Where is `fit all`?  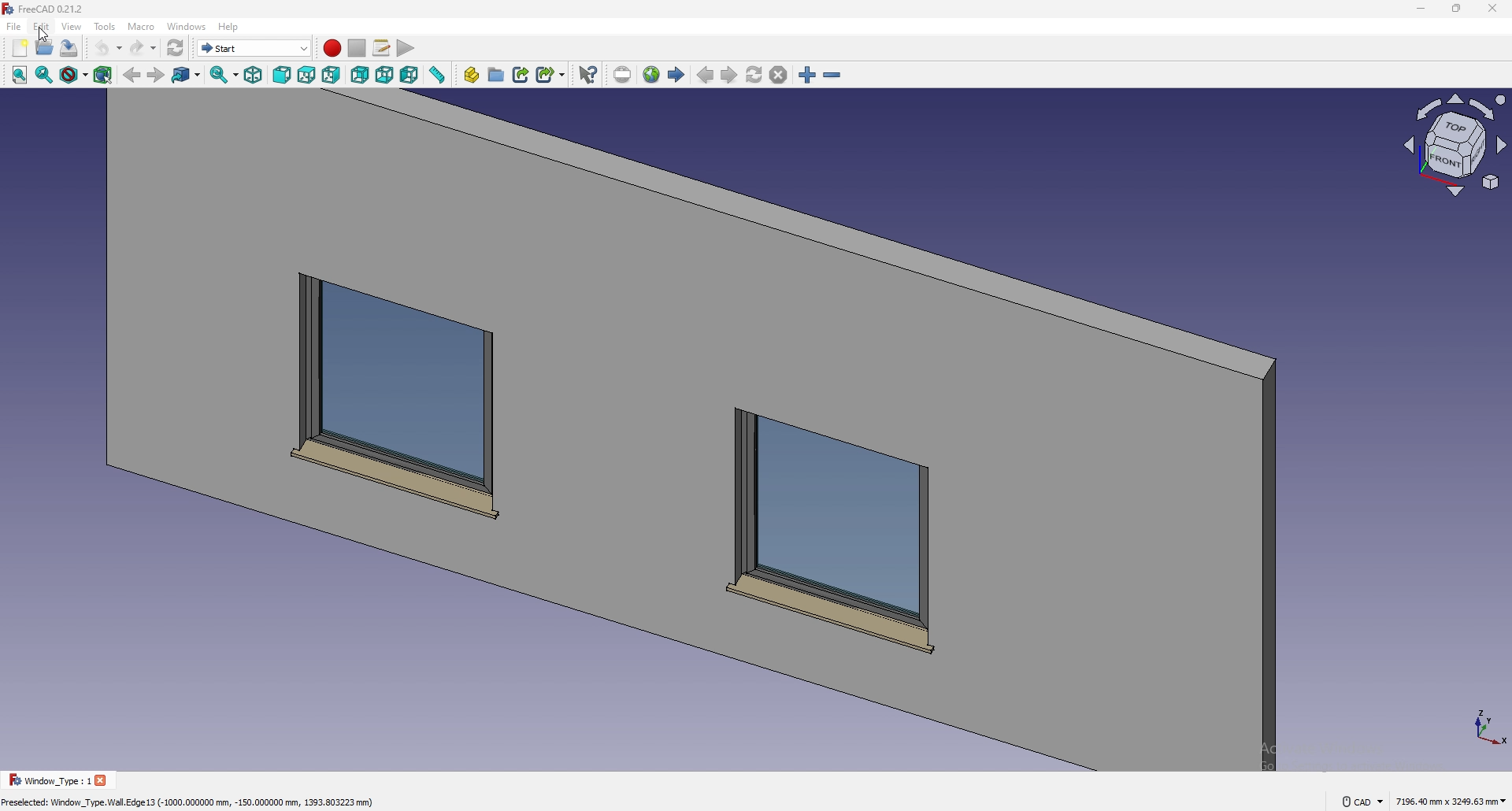
fit all is located at coordinates (17, 76).